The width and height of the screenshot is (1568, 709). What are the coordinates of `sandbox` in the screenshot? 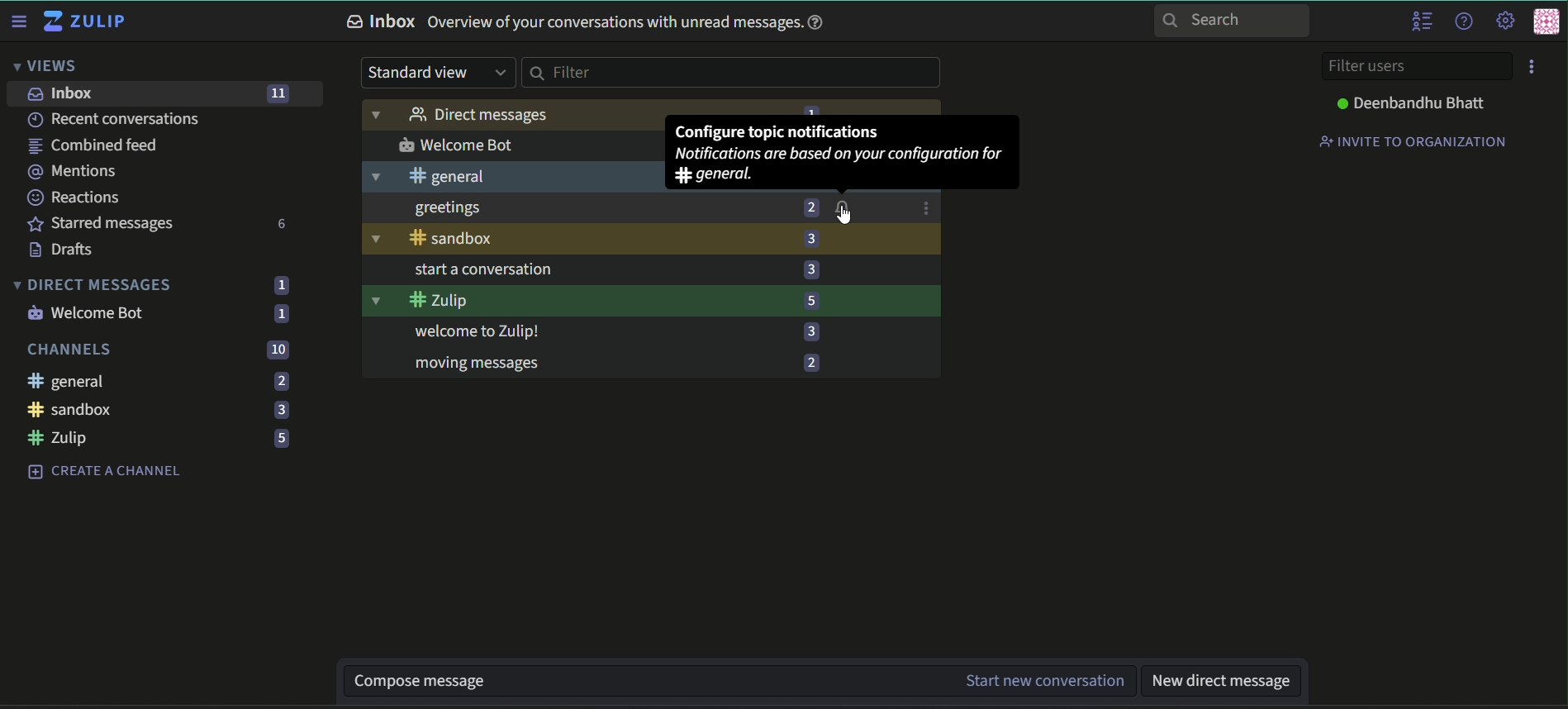 It's located at (74, 411).